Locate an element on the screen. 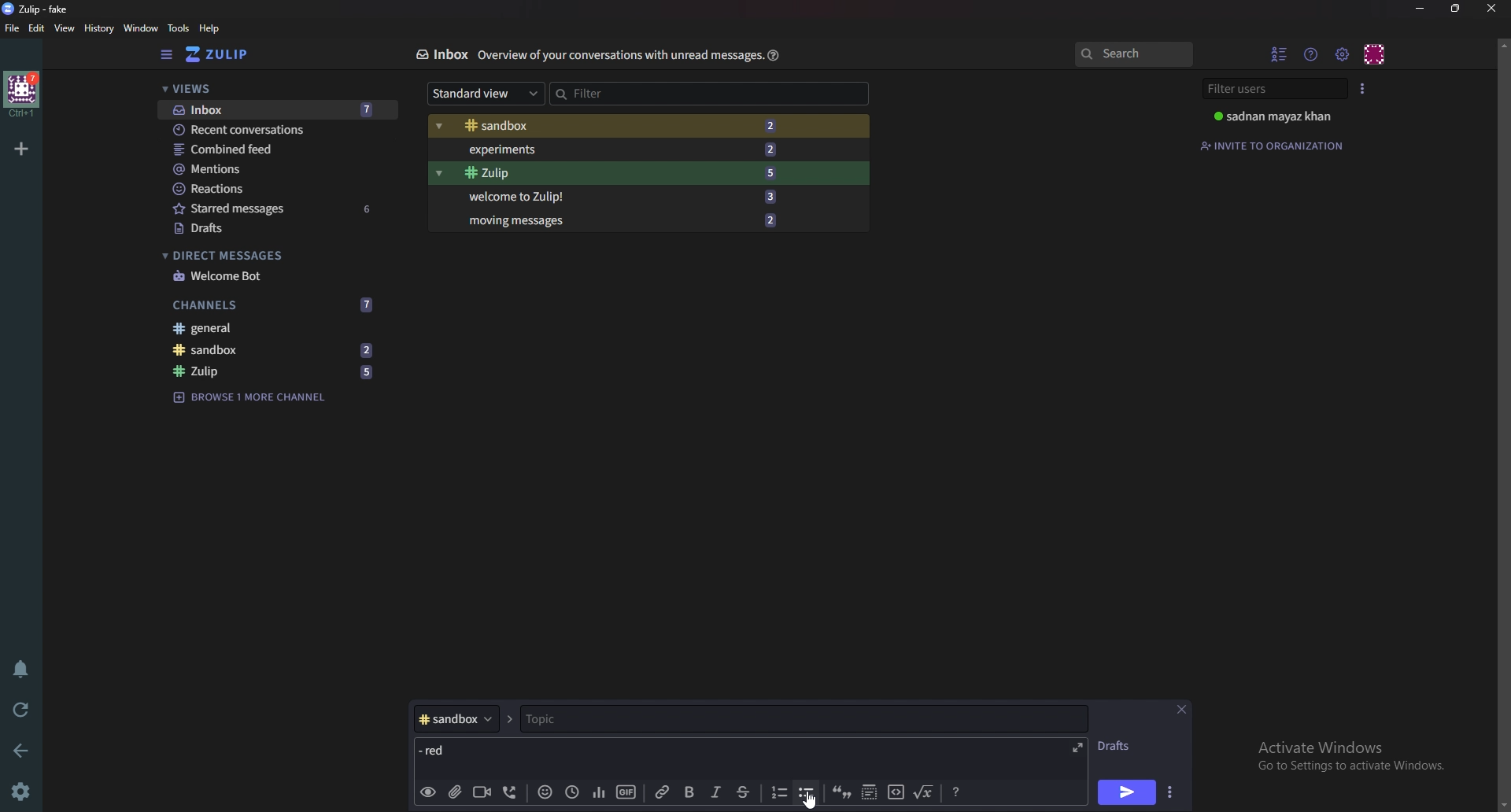 The image size is (1511, 812). help is located at coordinates (210, 28).